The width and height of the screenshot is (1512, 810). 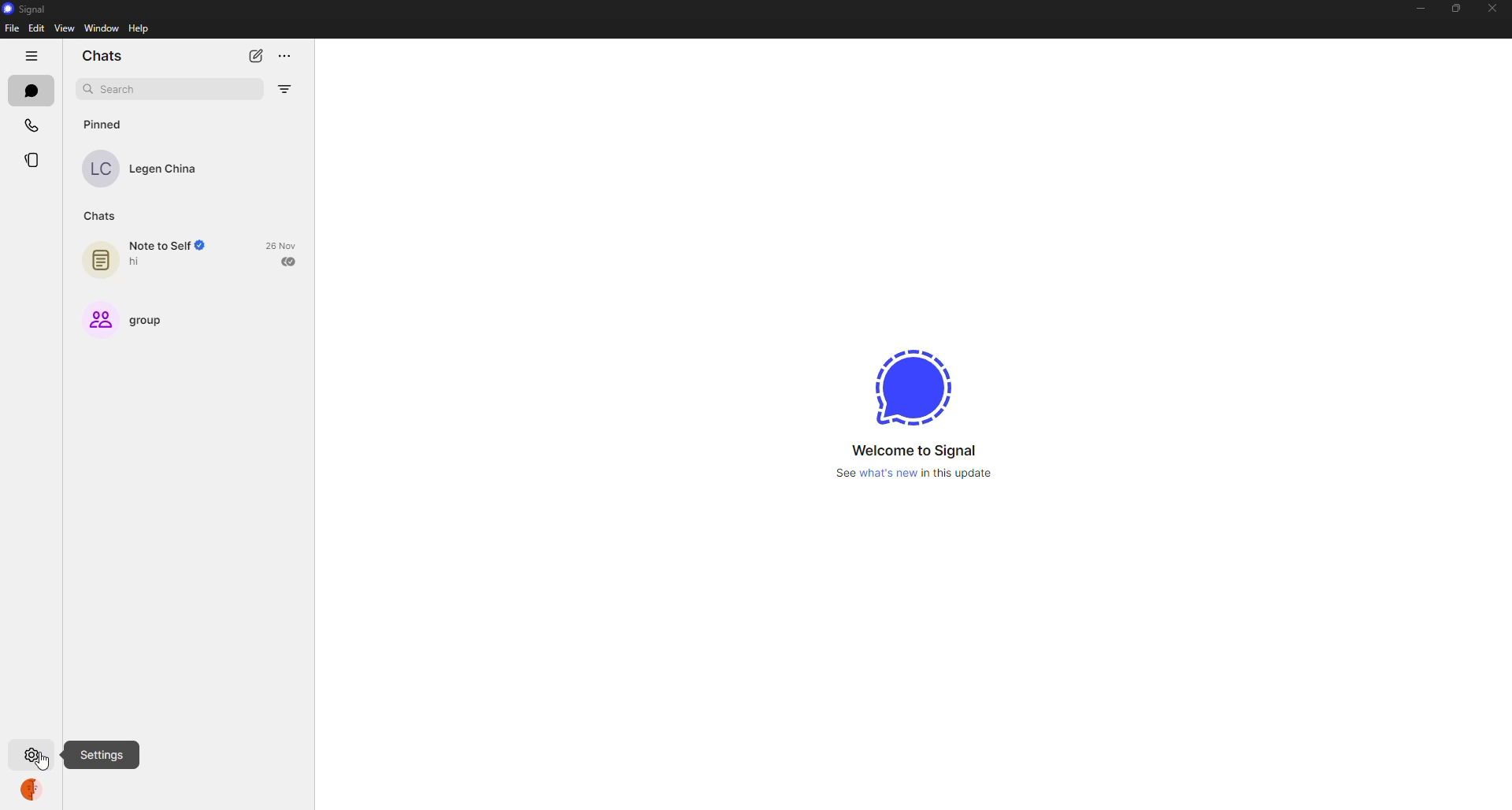 I want to click on settings, so click(x=102, y=752).